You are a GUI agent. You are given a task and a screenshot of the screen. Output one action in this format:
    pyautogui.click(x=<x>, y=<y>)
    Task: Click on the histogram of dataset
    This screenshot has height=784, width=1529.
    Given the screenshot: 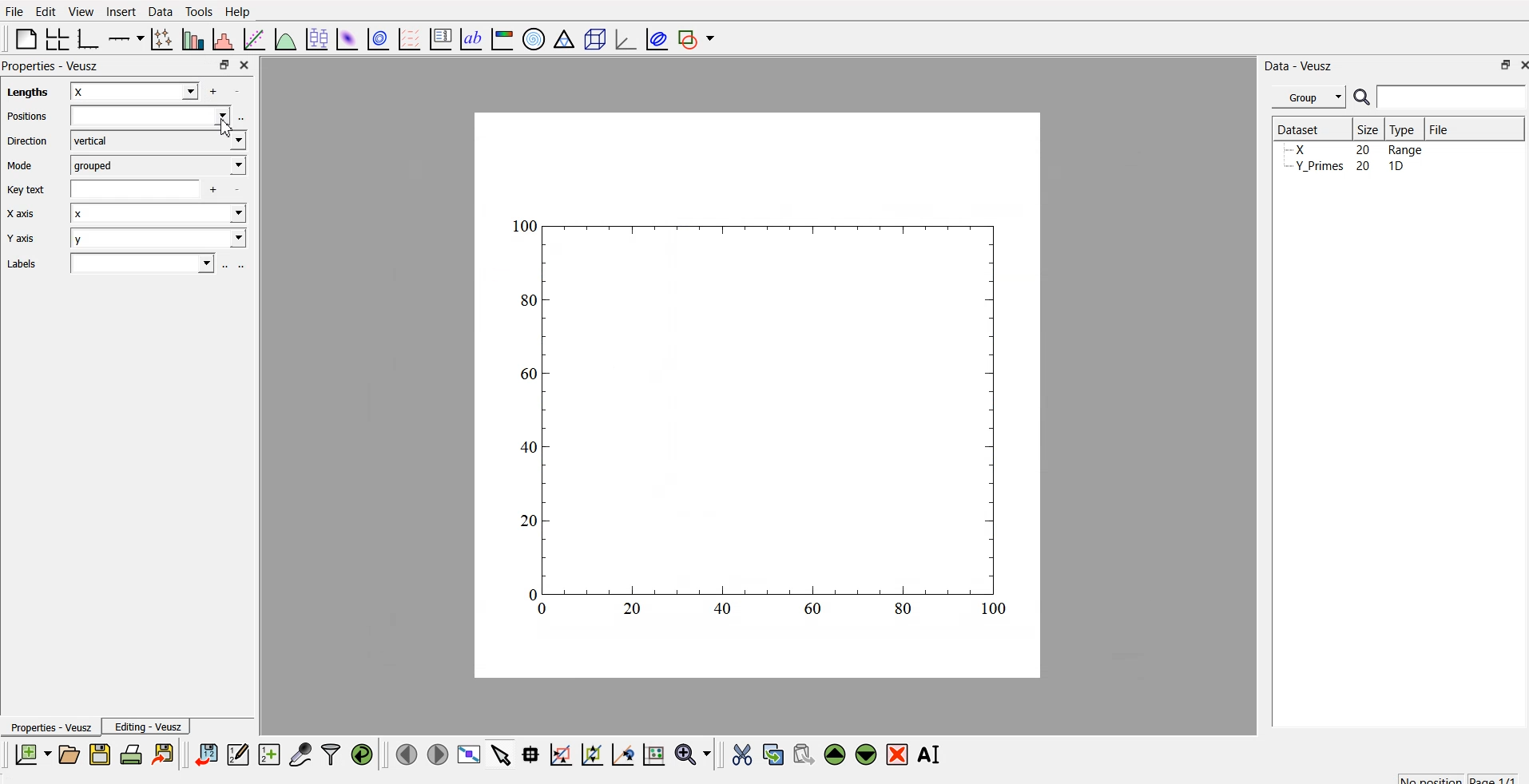 What is the action you would take?
    pyautogui.click(x=222, y=40)
    